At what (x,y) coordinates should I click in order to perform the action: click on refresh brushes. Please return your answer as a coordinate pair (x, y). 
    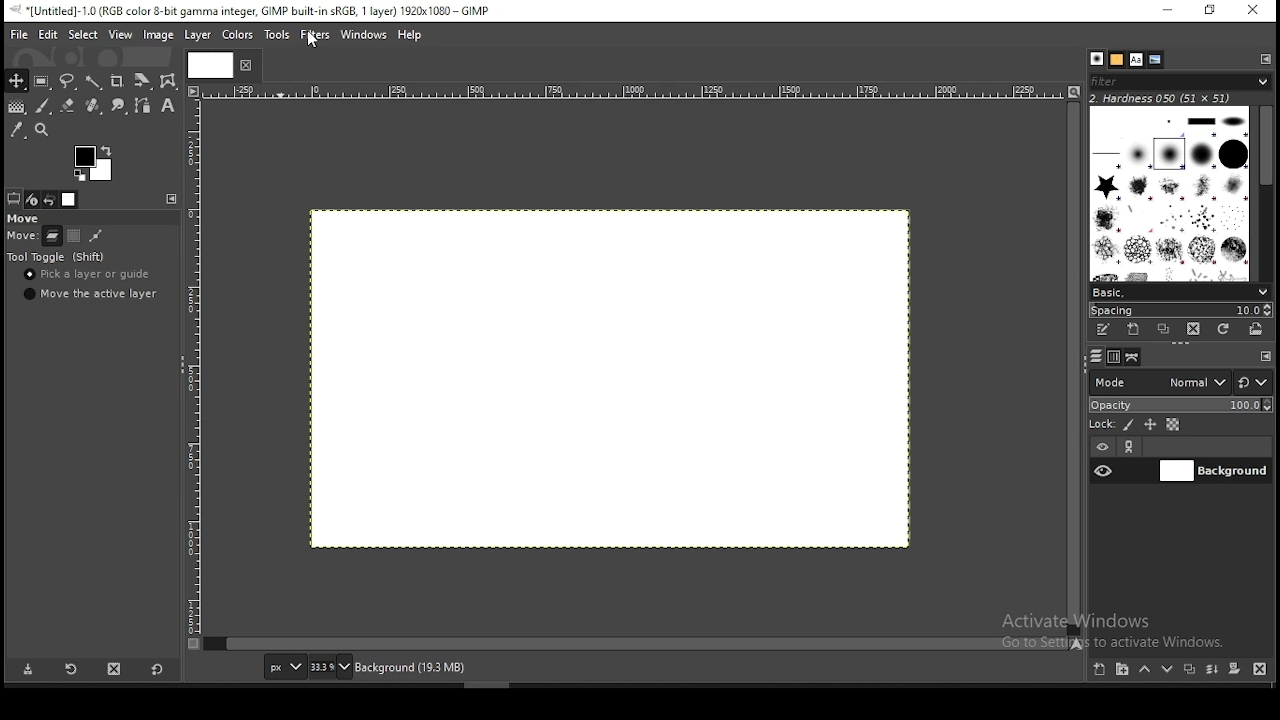
    Looking at the image, I should click on (1224, 330).